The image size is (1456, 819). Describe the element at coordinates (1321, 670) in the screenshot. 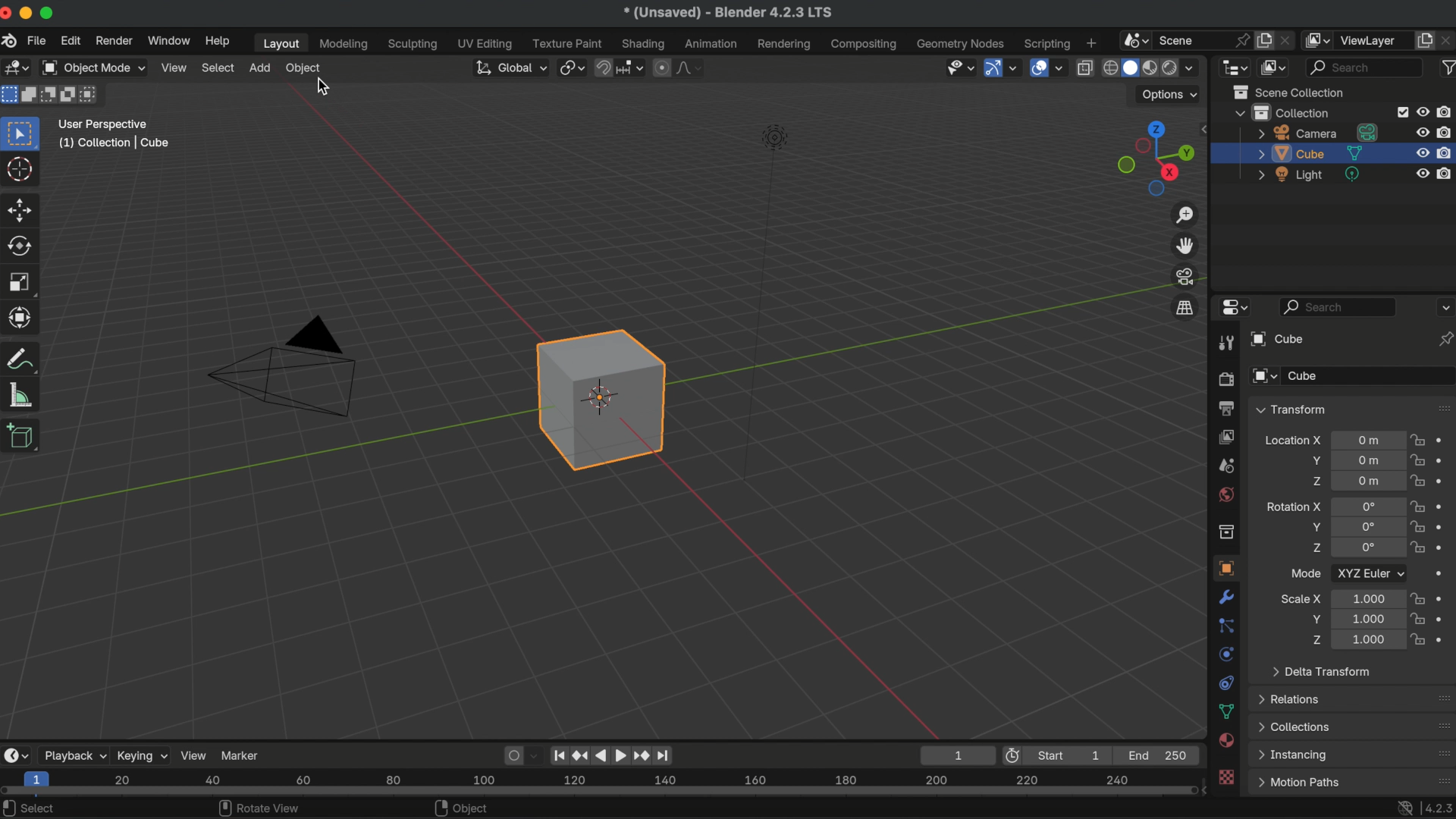

I see `delta transform` at that location.